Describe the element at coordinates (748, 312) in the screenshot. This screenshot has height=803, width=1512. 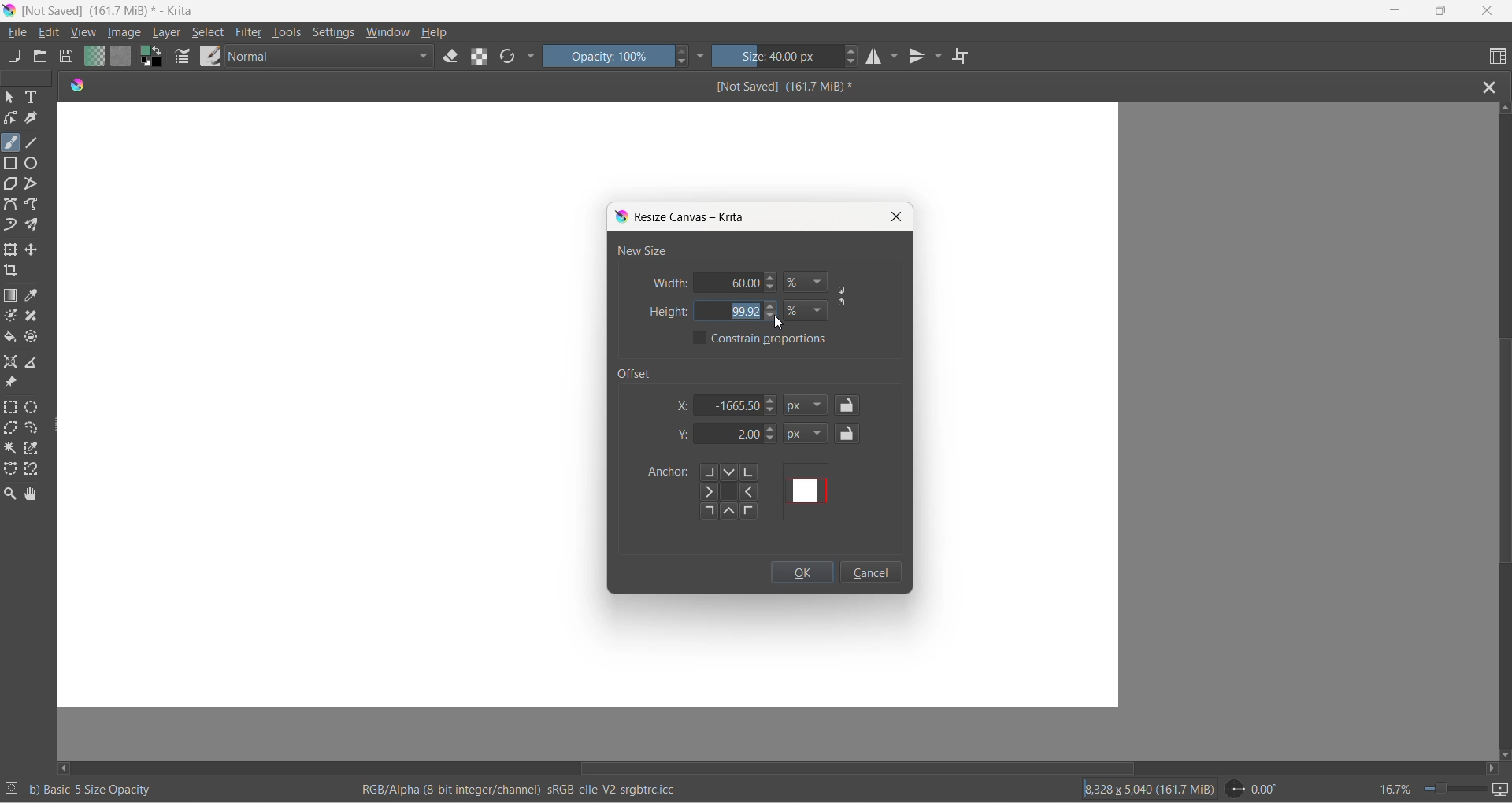
I see `height value` at that location.